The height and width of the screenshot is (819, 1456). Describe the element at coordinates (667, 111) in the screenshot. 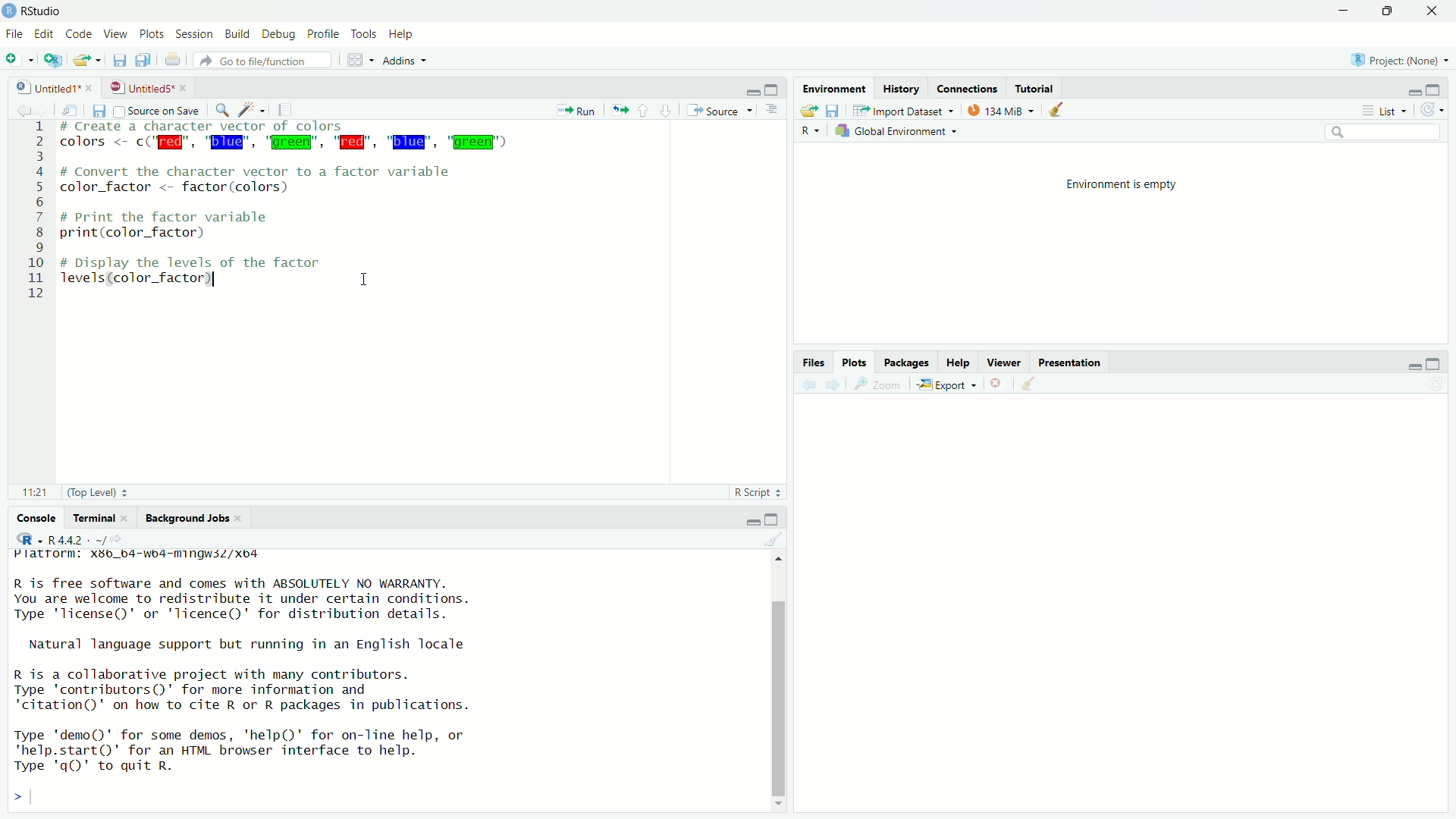

I see `go to next section/chunk` at that location.